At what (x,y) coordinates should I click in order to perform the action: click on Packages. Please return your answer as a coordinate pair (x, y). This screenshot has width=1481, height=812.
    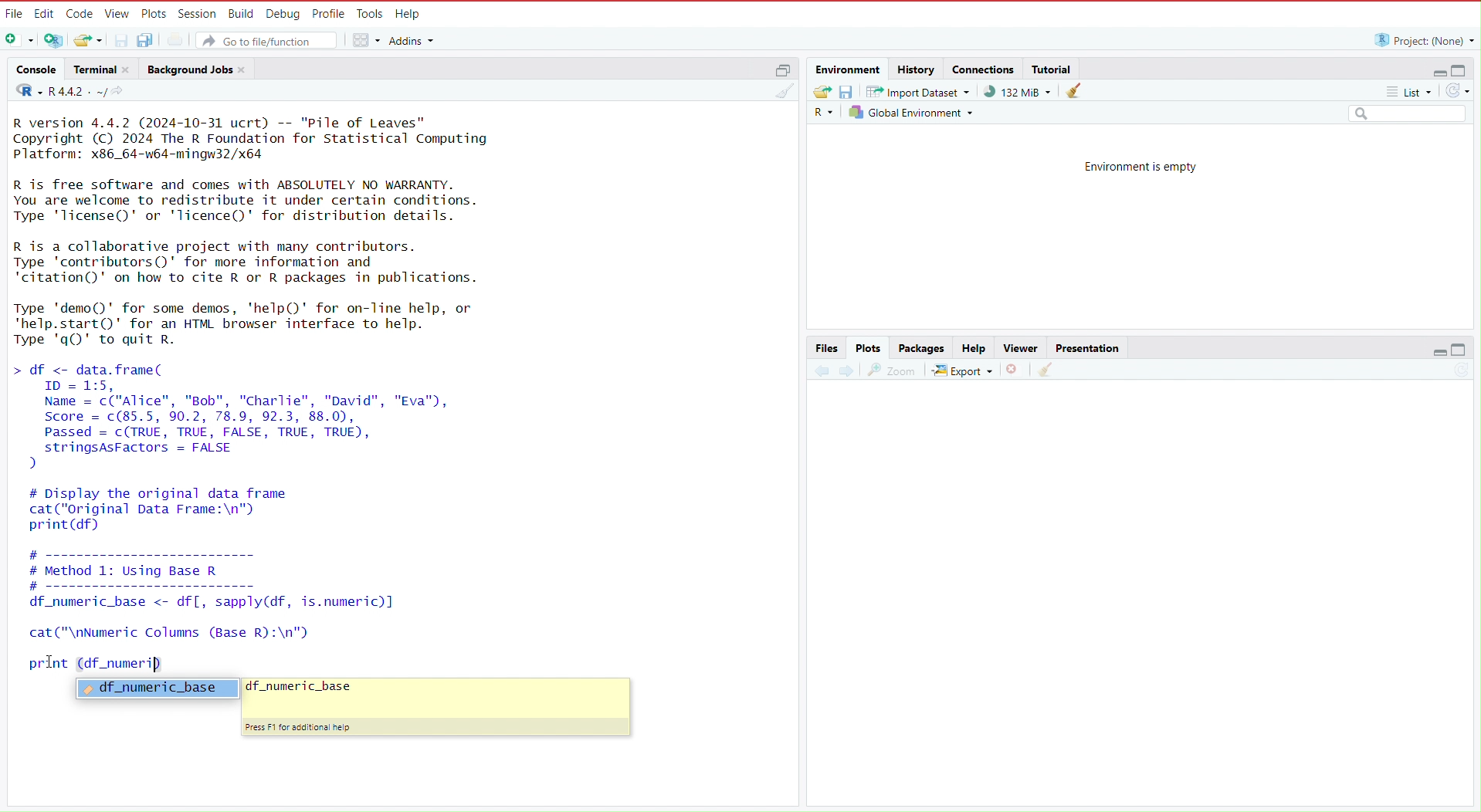
    Looking at the image, I should click on (920, 347).